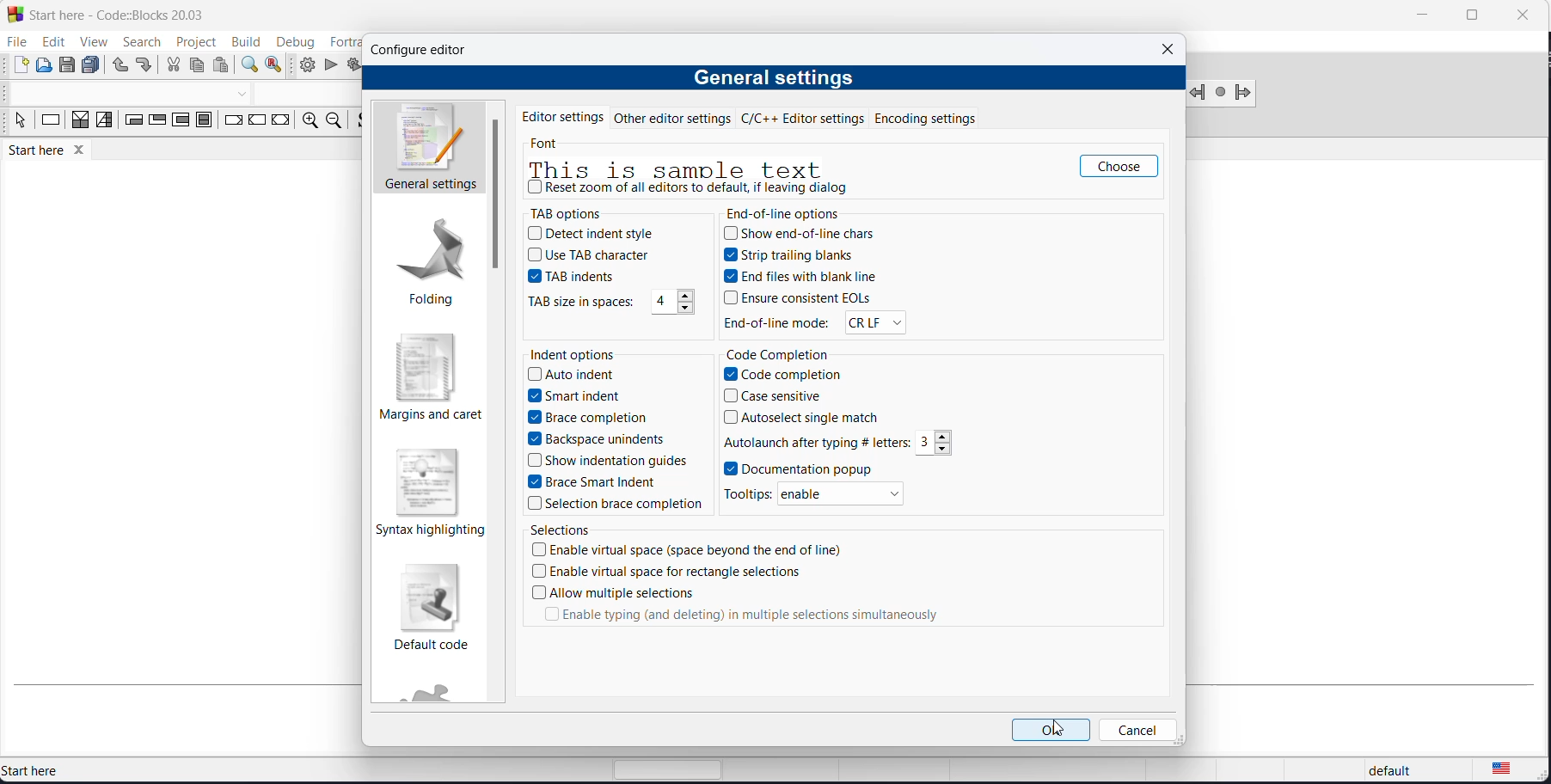  Describe the element at coordinates (574, 354) in the screenshot. I see `indent options` at that location.